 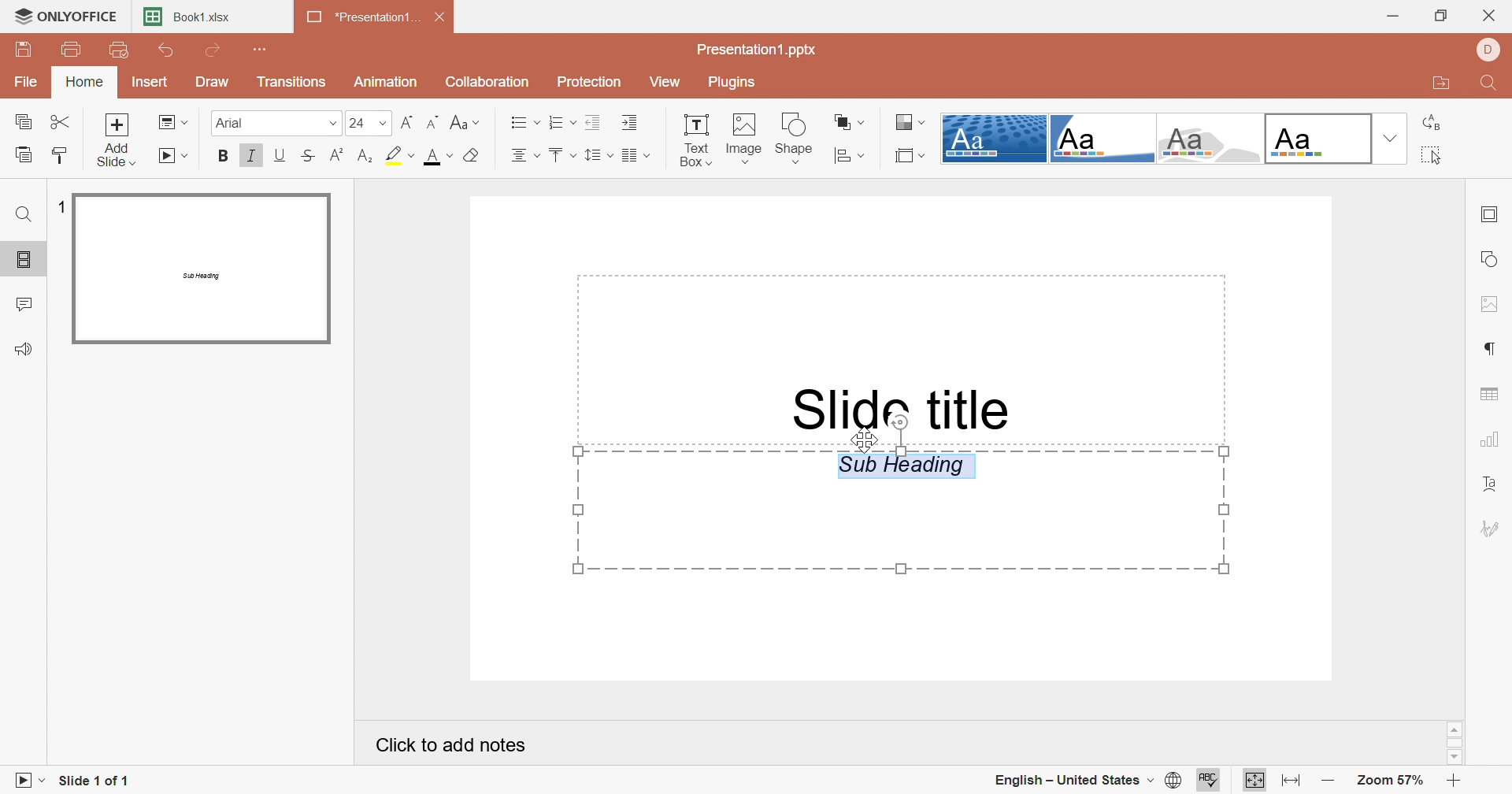 What do you see at coordinates (745, 138) in the screenshot?
I see `Image` at bounding box center [745, 138].